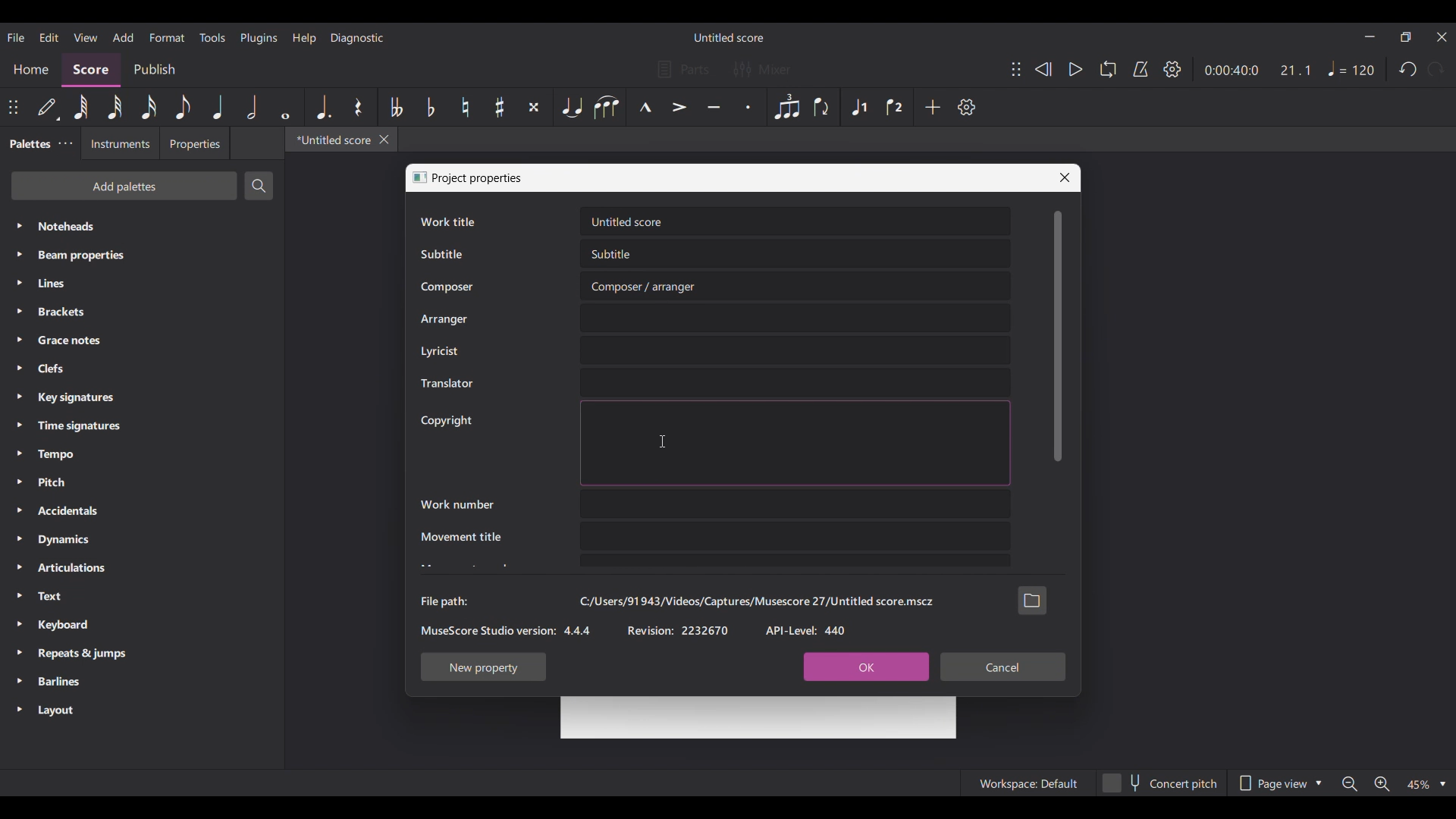  I want to click on Composer, so click(447, 287).